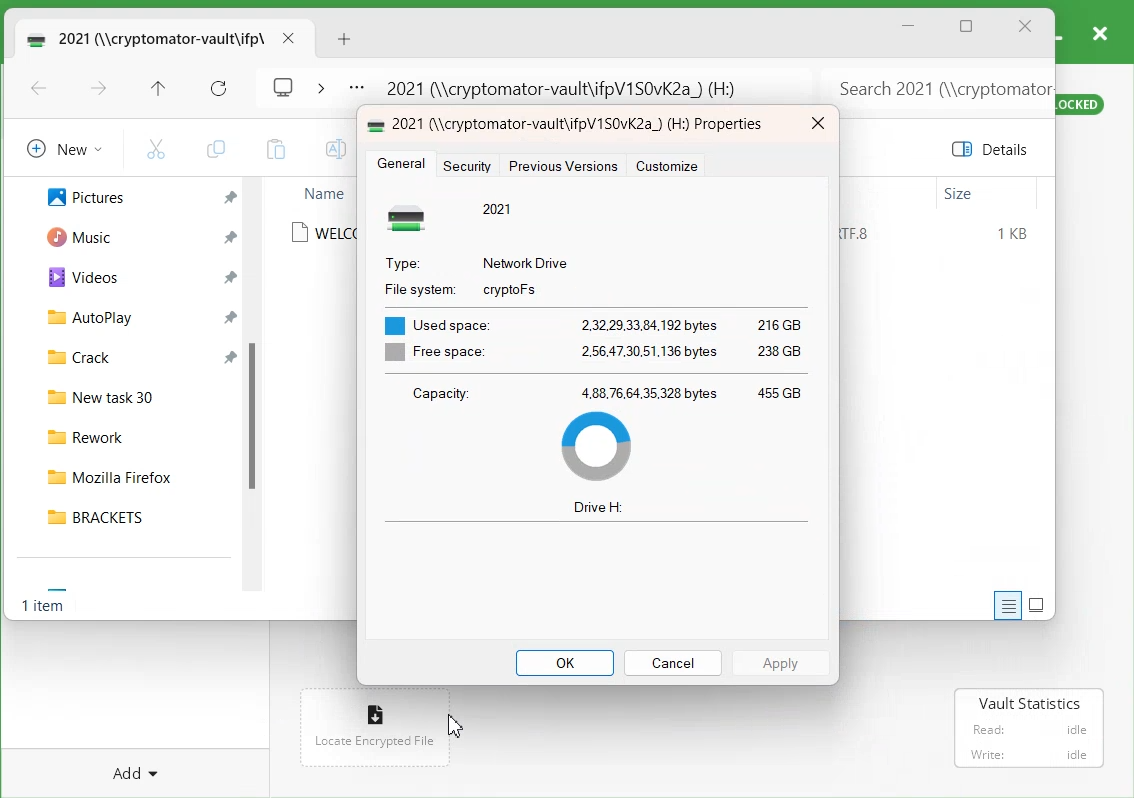  Describe the element at coordinates (231, 355) in the screenshot. I see `Pin a file` at that location.